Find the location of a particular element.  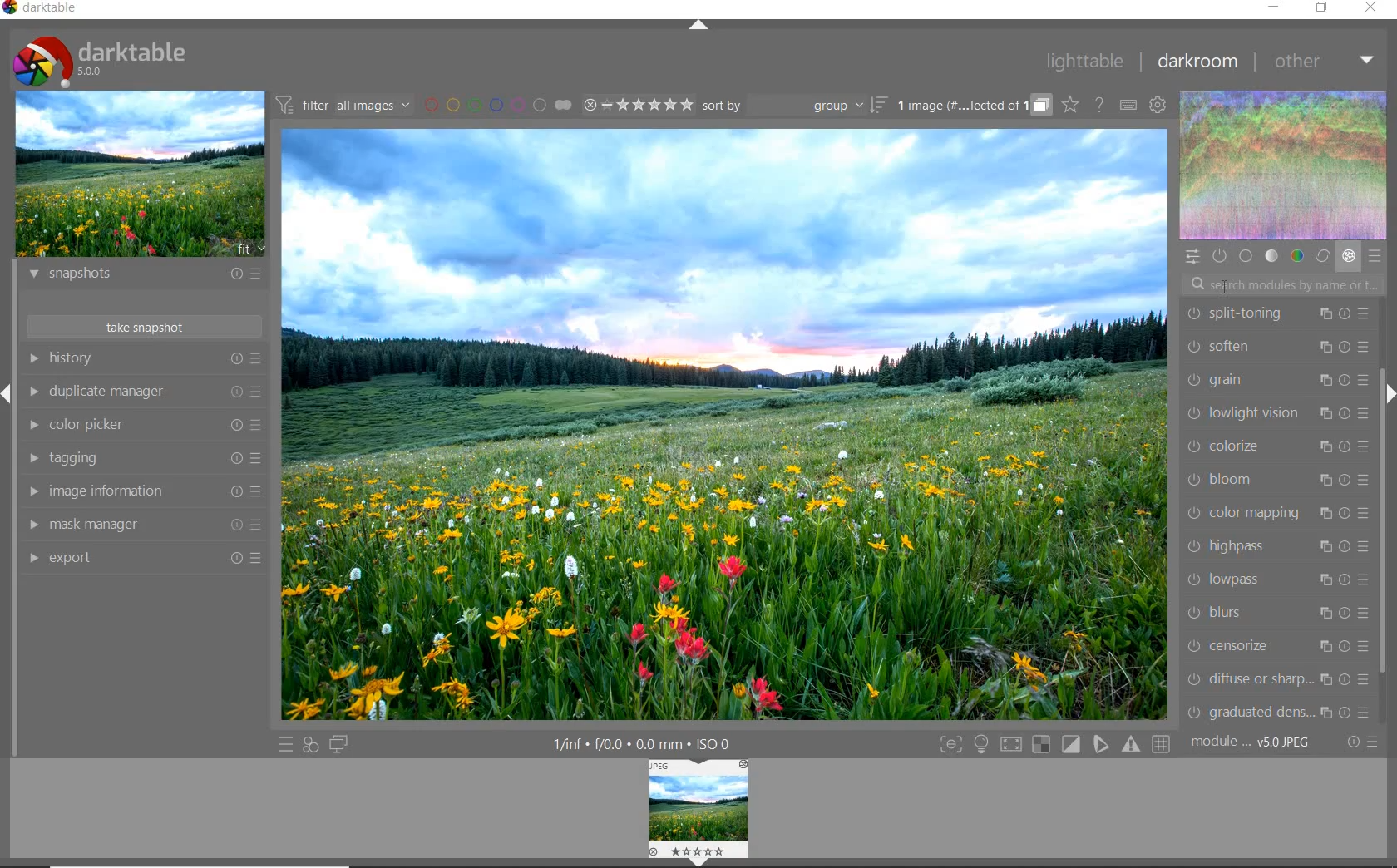

Expand / Collapse is located at coordinates (8, 392).